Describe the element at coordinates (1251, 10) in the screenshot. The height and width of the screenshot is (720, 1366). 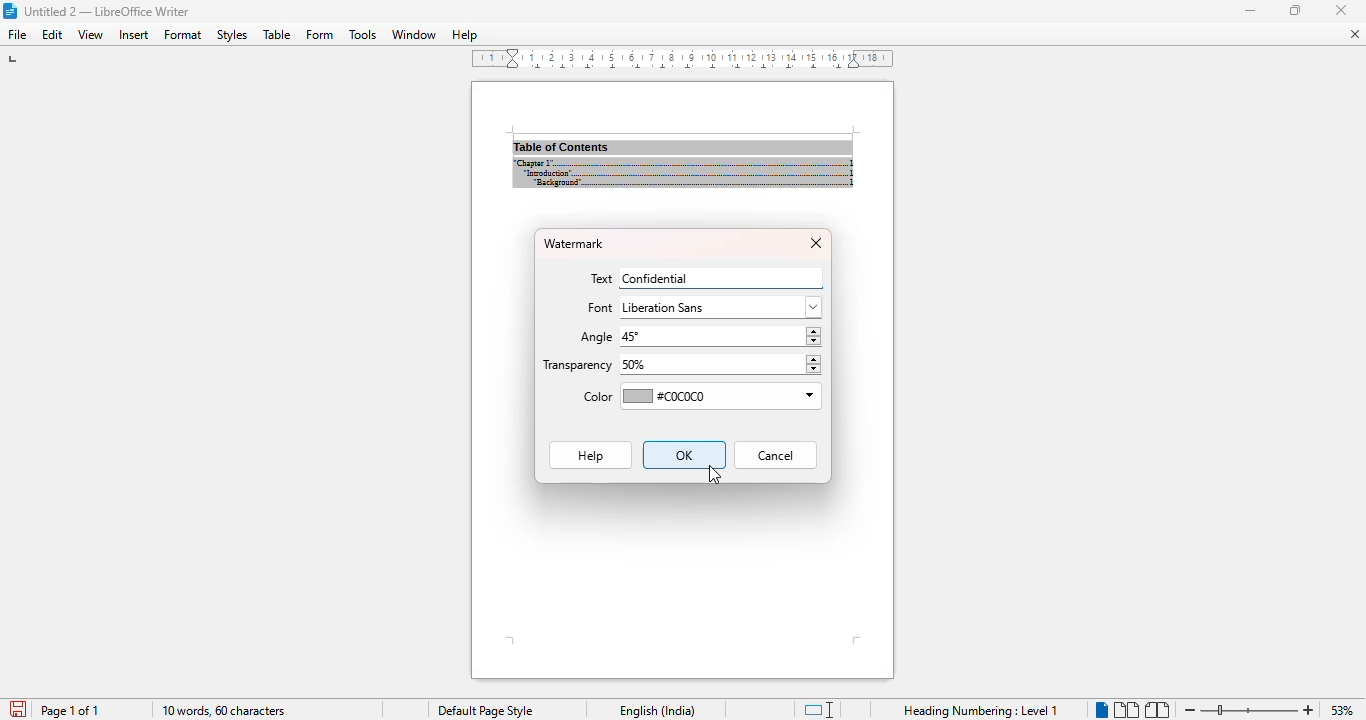
I see `minimize` at that location.